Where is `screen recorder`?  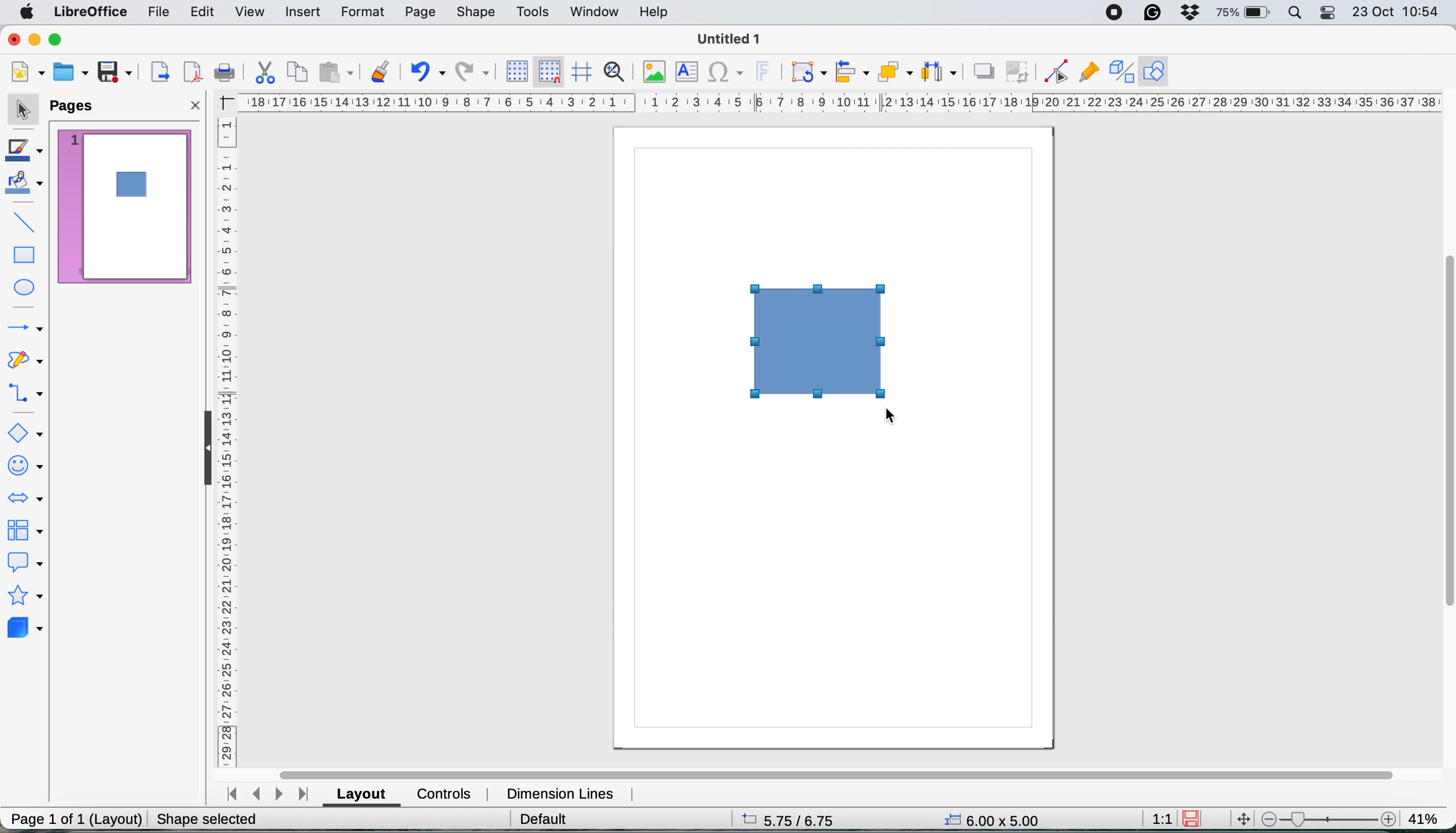
screen recorder is located at coordinates (1112, 13).